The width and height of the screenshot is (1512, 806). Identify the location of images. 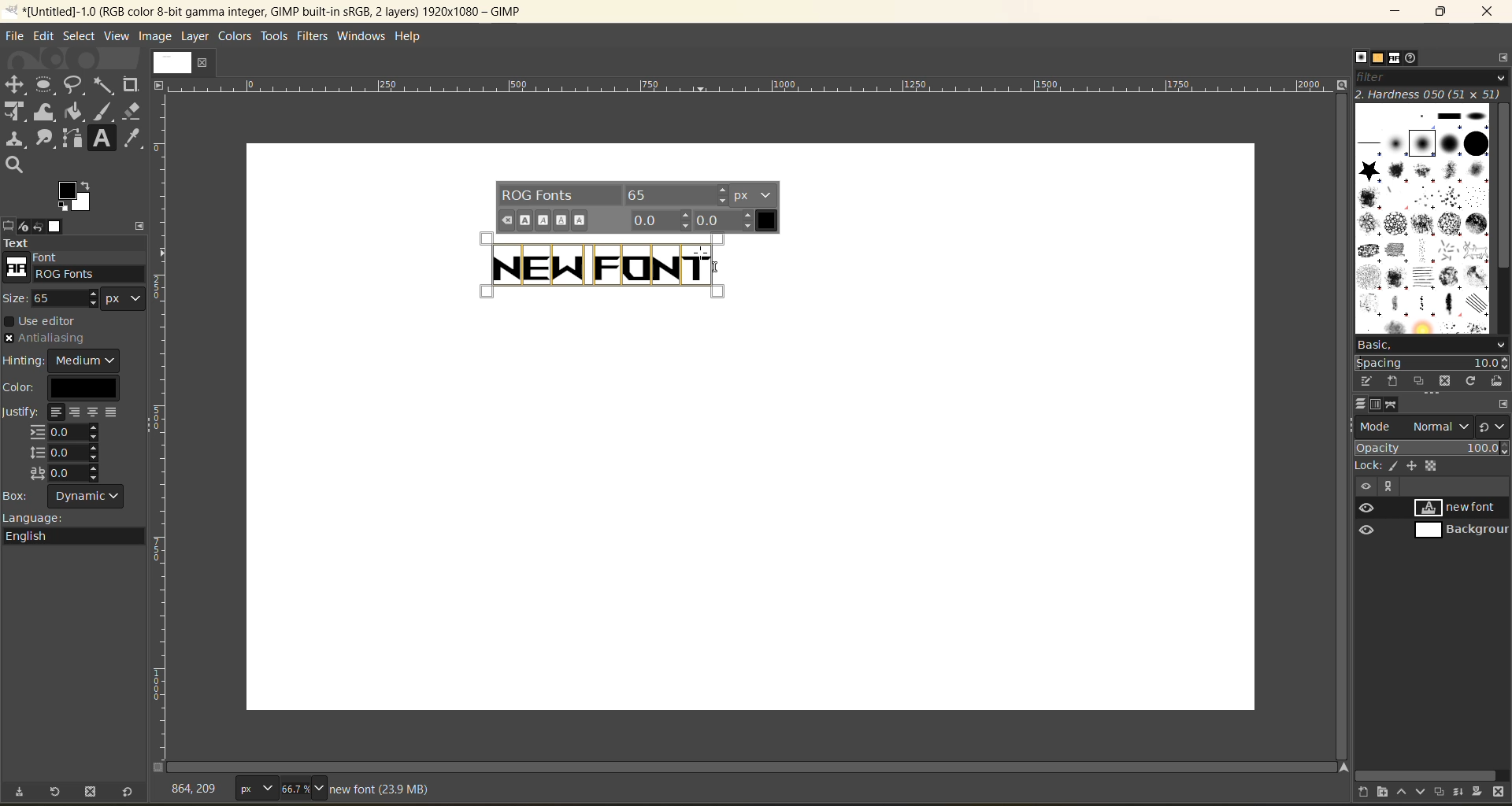
(57, 226).